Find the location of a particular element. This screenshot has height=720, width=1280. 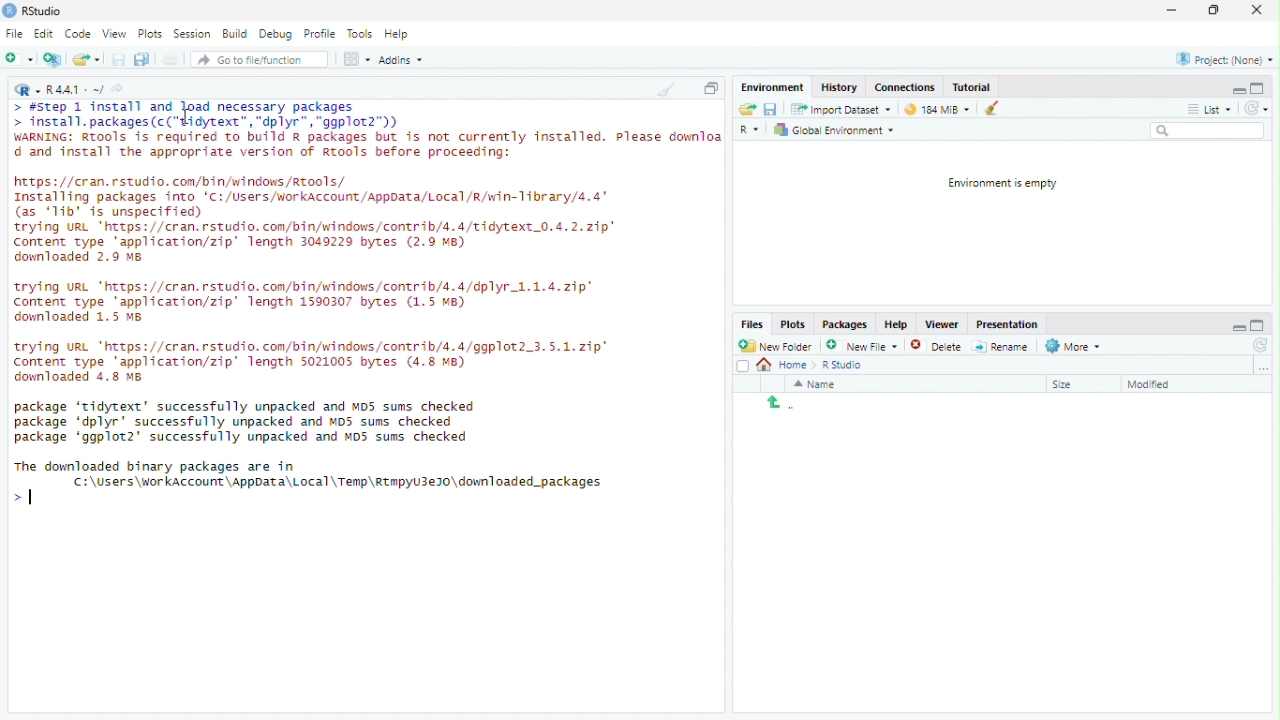

Project: (None) is located at coordinates (1225, 59).